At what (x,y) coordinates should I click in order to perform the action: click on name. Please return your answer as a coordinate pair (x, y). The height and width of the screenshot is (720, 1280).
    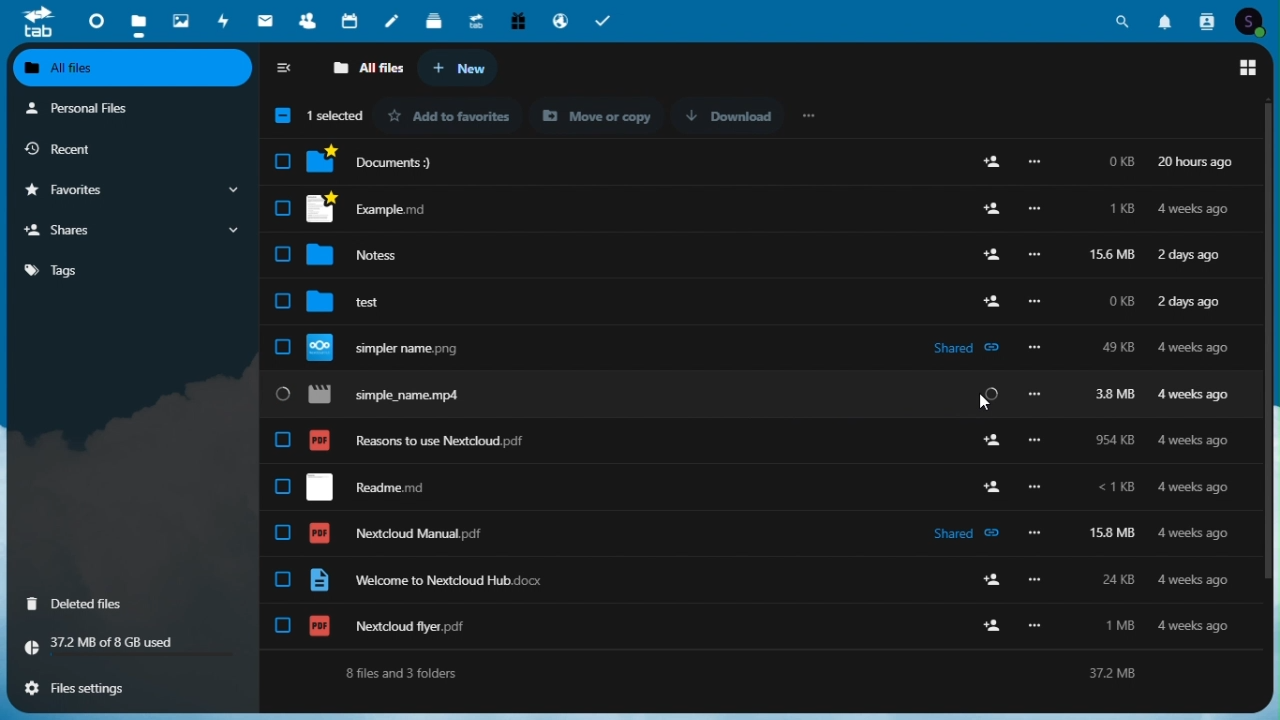
    Looking at the image, I should click on (369, 115).